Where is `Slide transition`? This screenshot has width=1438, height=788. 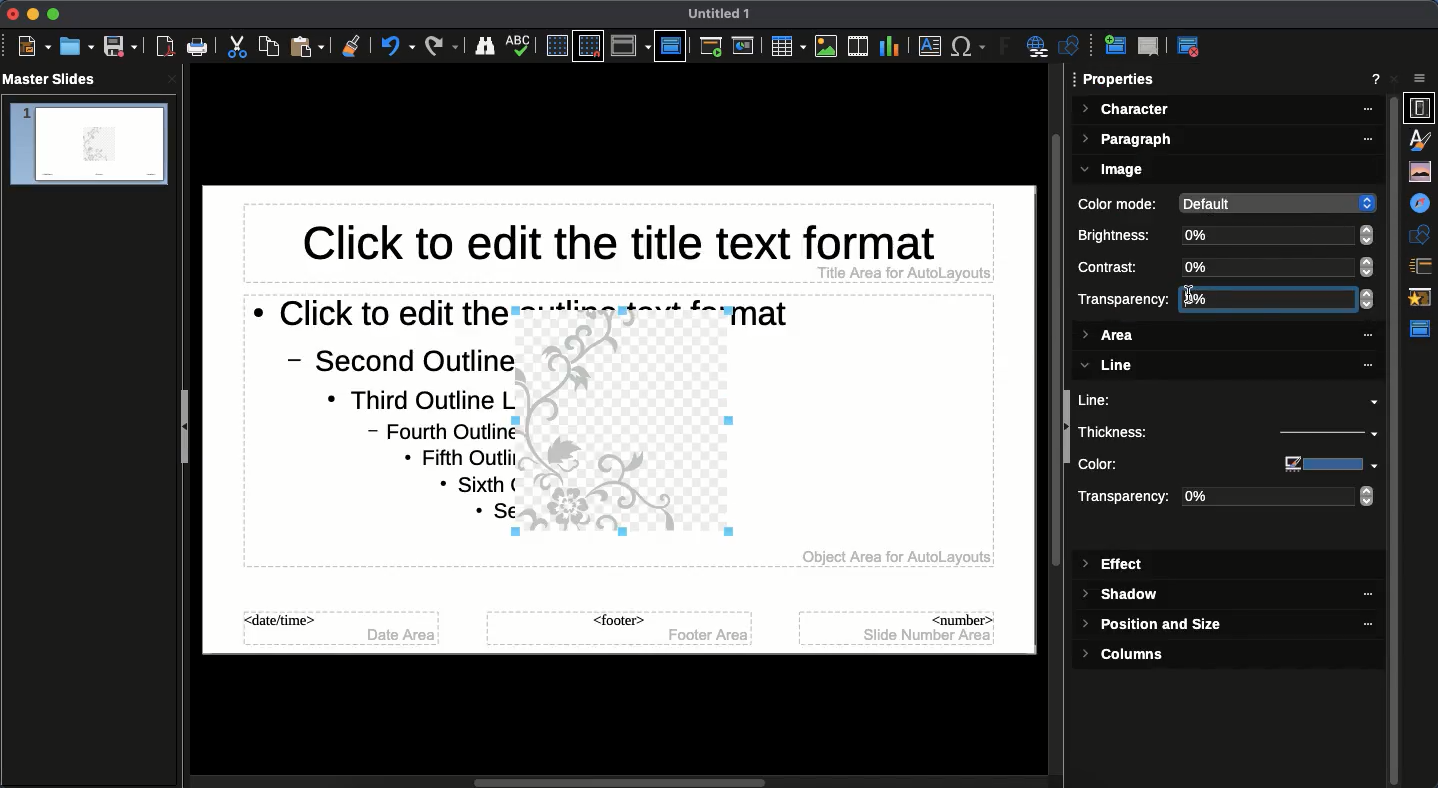
Slide transition is located at coordinates (1423, 266).